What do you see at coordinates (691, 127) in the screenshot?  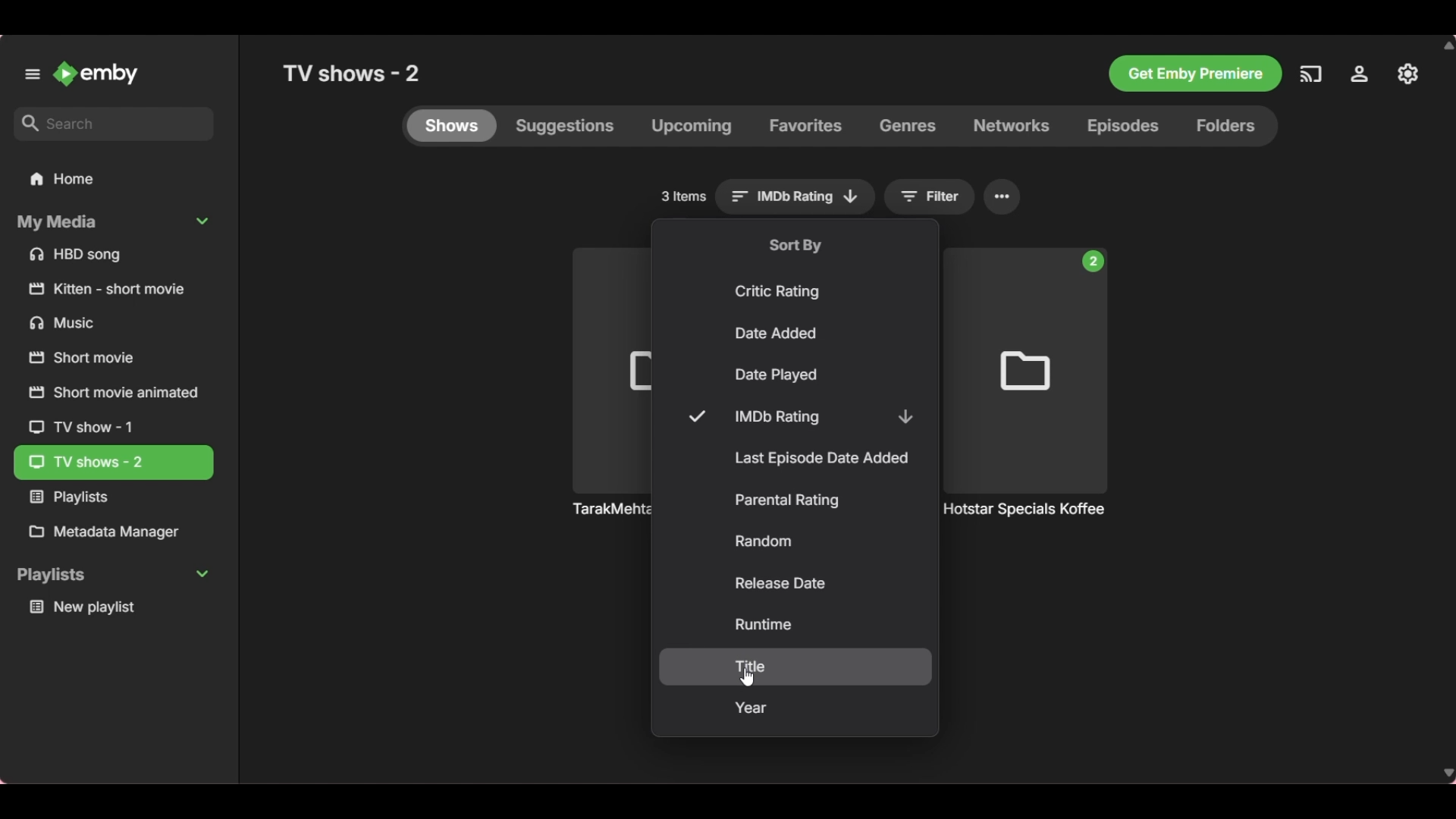 I see `Upcoming` at bounding box center [691, 127].